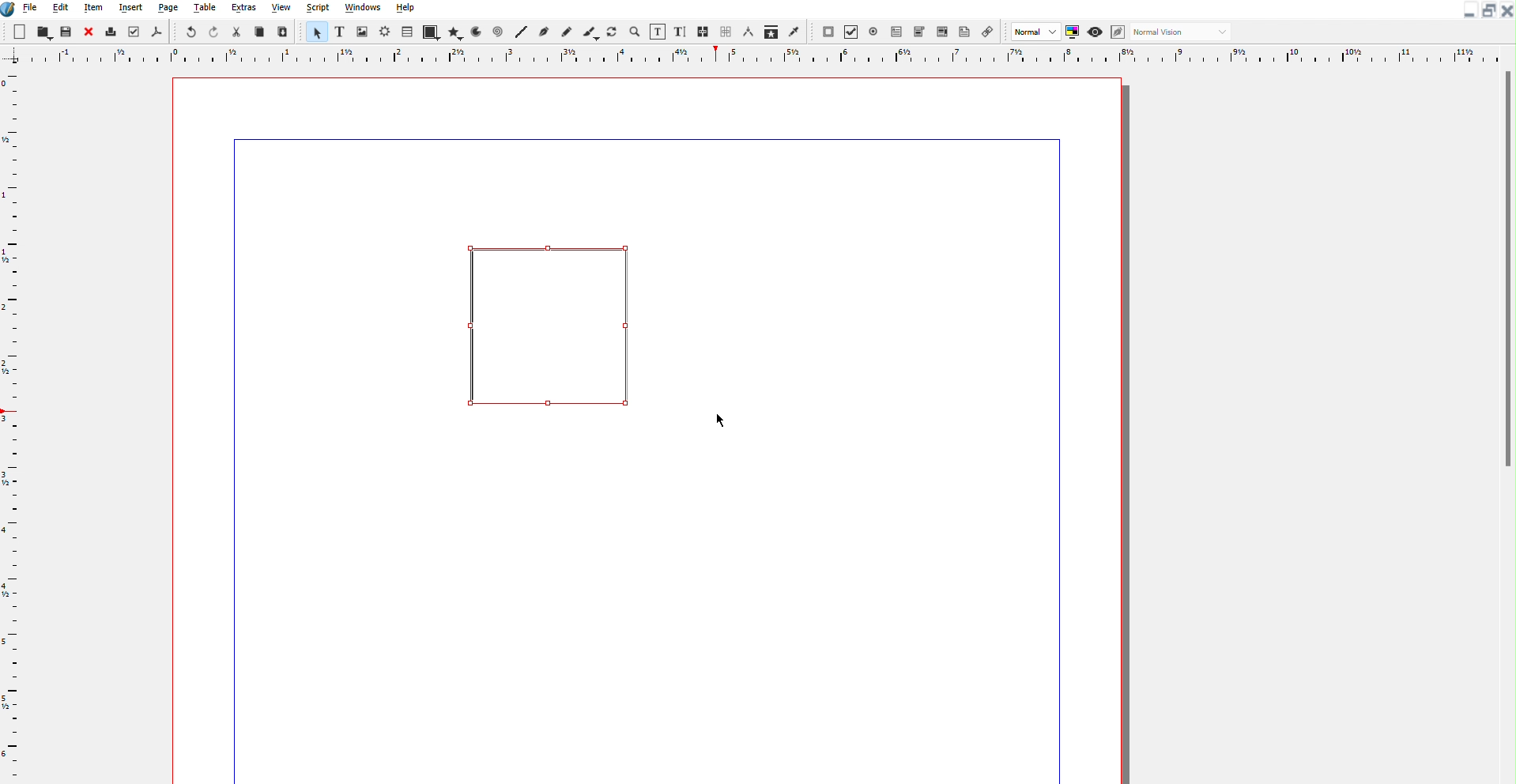  What do you see at coordinates (133, 32) in the screenshot?
I see `Check` at bounding box center [133, 32].